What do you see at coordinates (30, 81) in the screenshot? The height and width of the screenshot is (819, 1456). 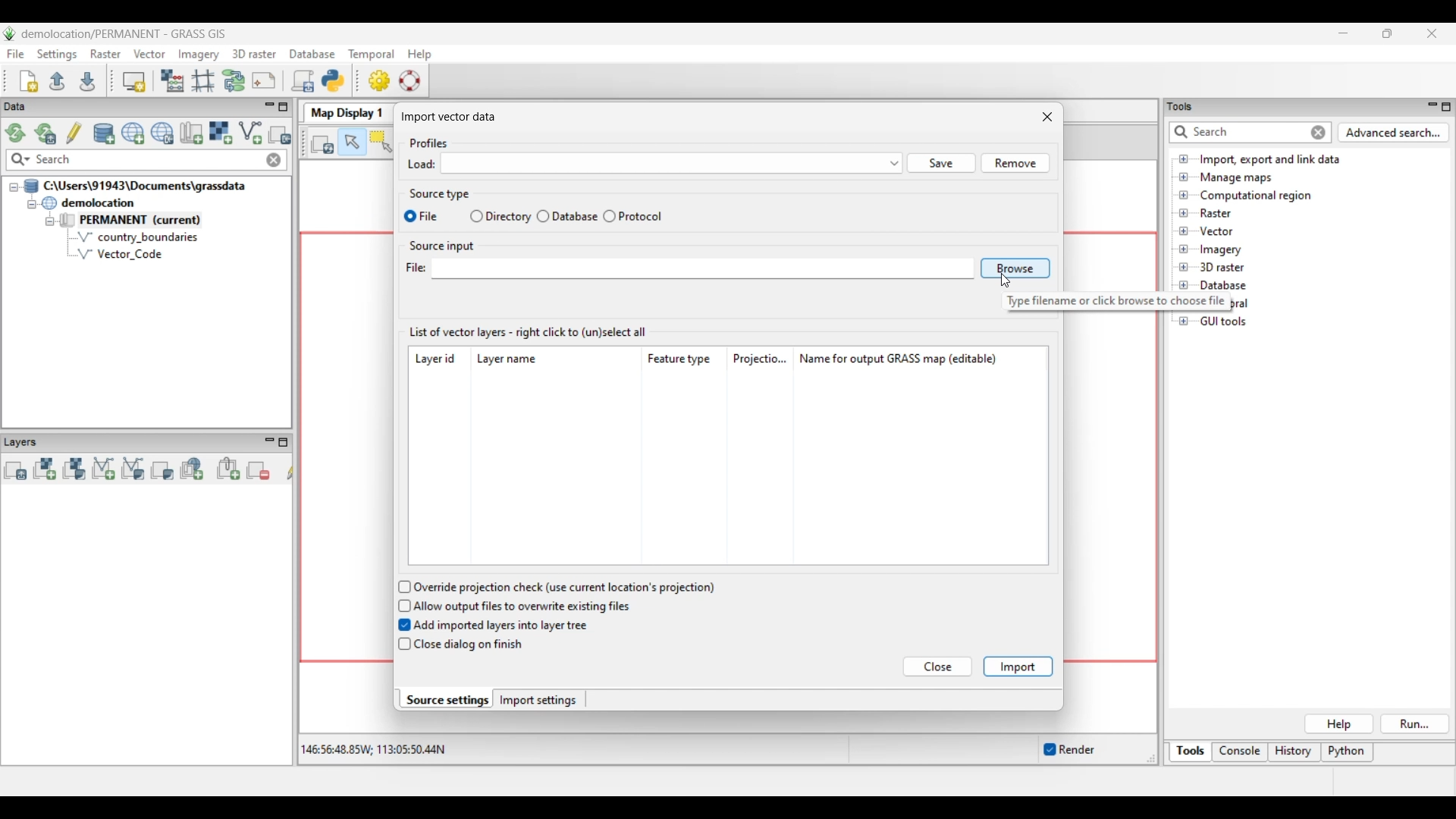 I see `Create new workspace` at bounding box center [30, 81].